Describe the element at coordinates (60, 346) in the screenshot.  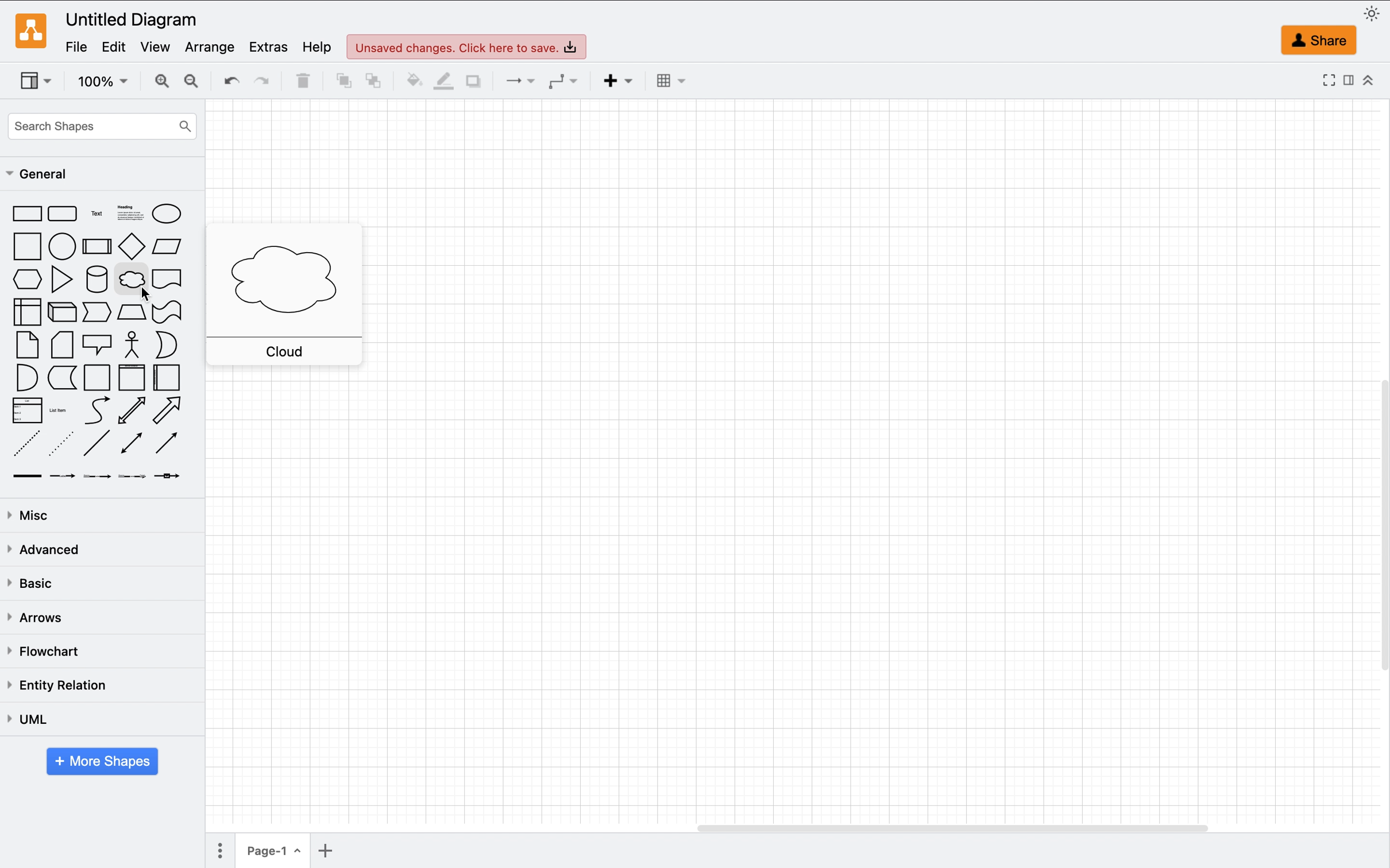
I see `card` at that location.